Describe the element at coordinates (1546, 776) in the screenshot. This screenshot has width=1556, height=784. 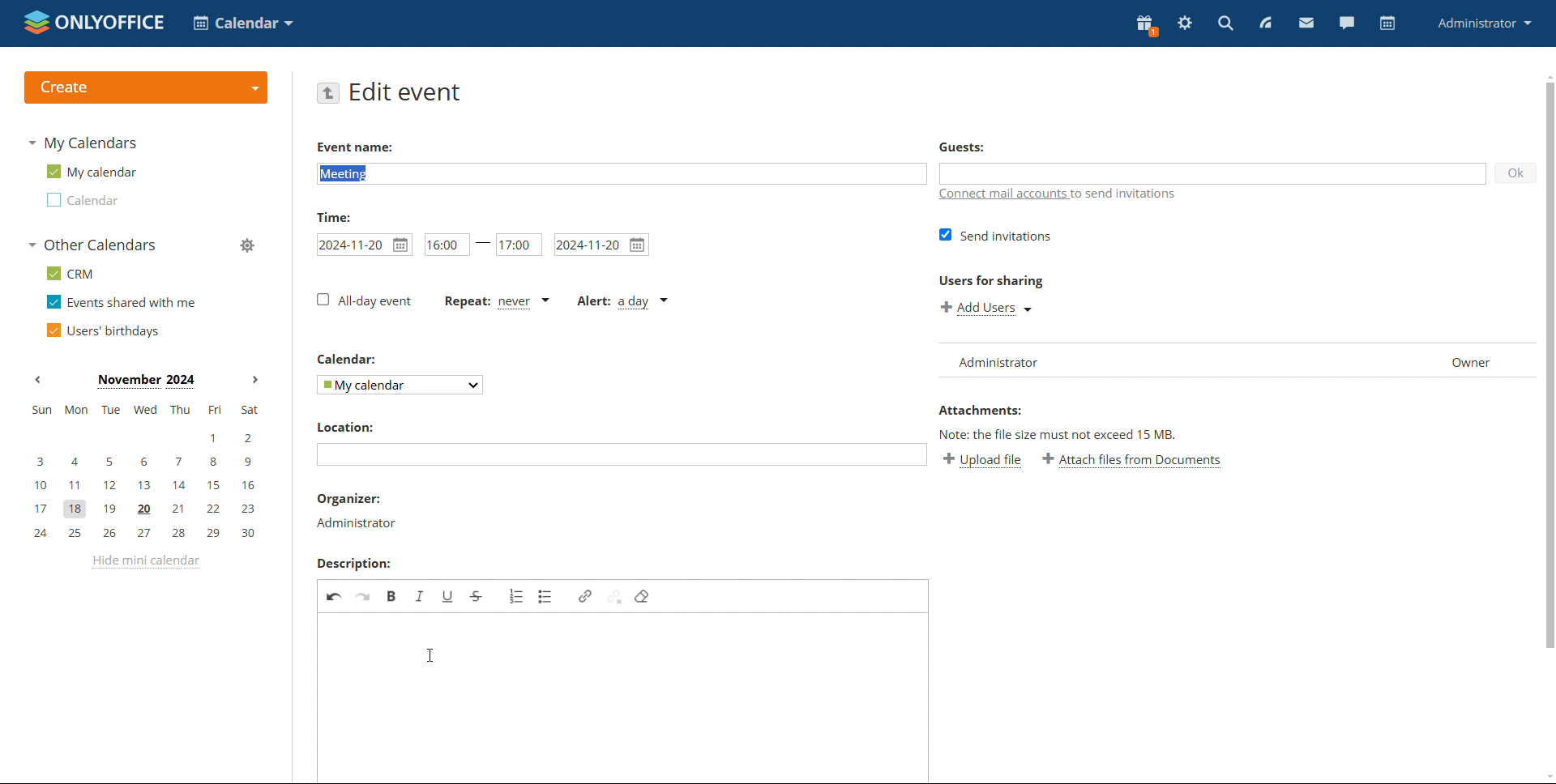
I see `scroll down` at that location.